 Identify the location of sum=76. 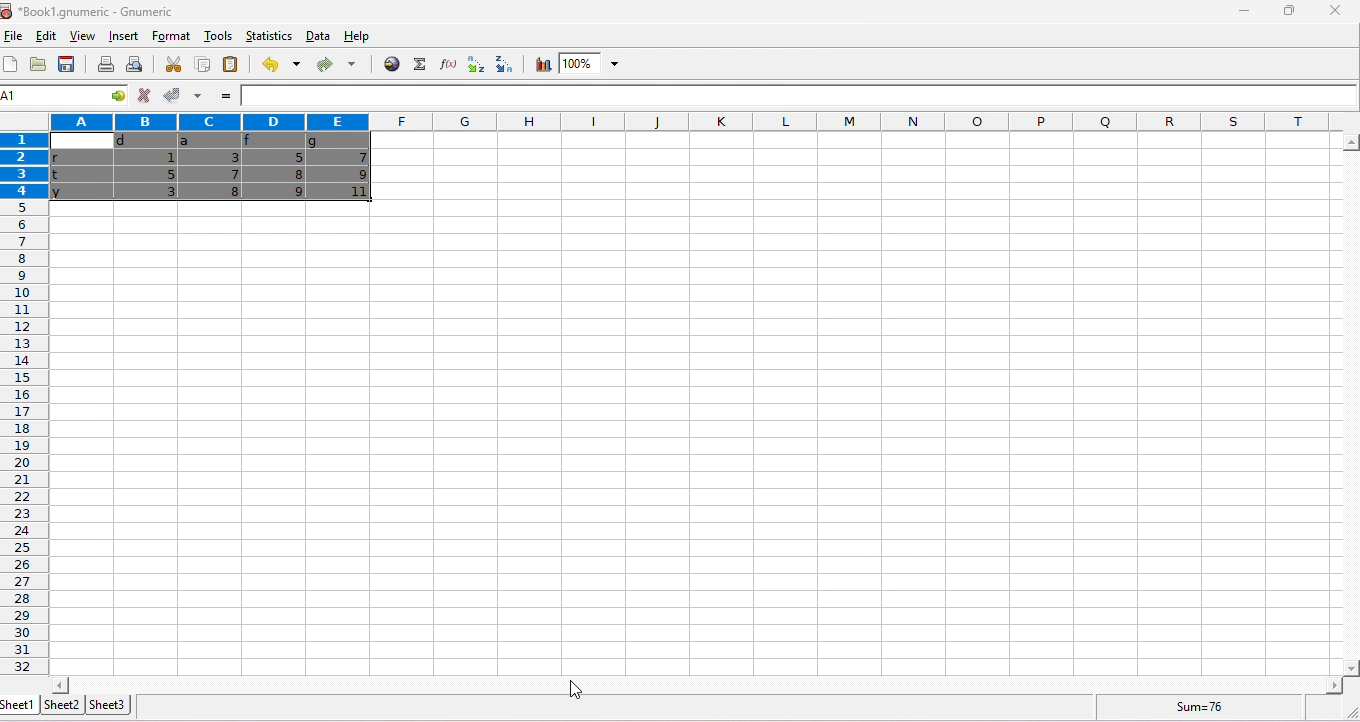
(1204, 706).